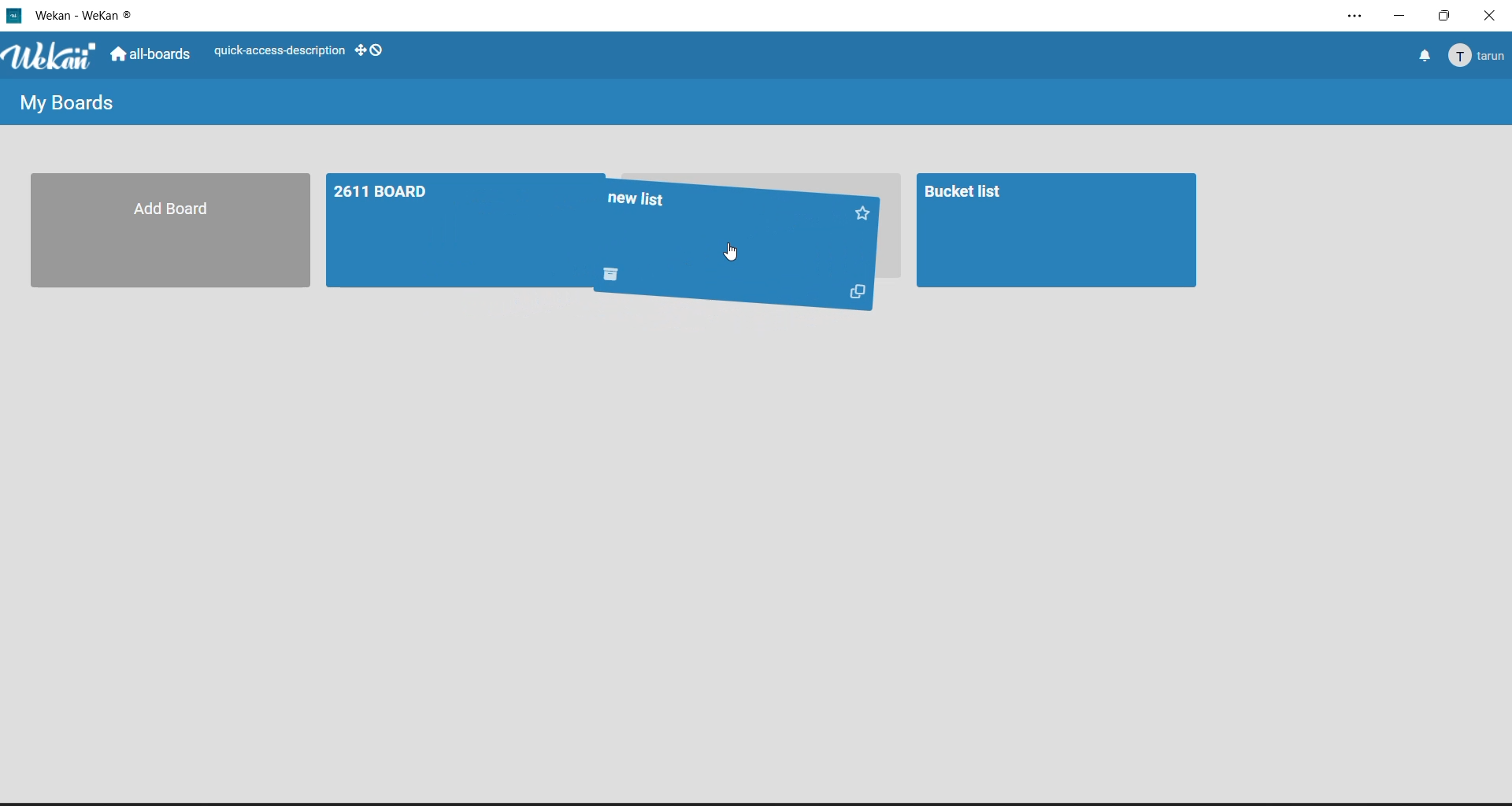  What do you see at coordinates (1491, 16) in the screenshot?
I see `close` at bounding box center [1491, 16].